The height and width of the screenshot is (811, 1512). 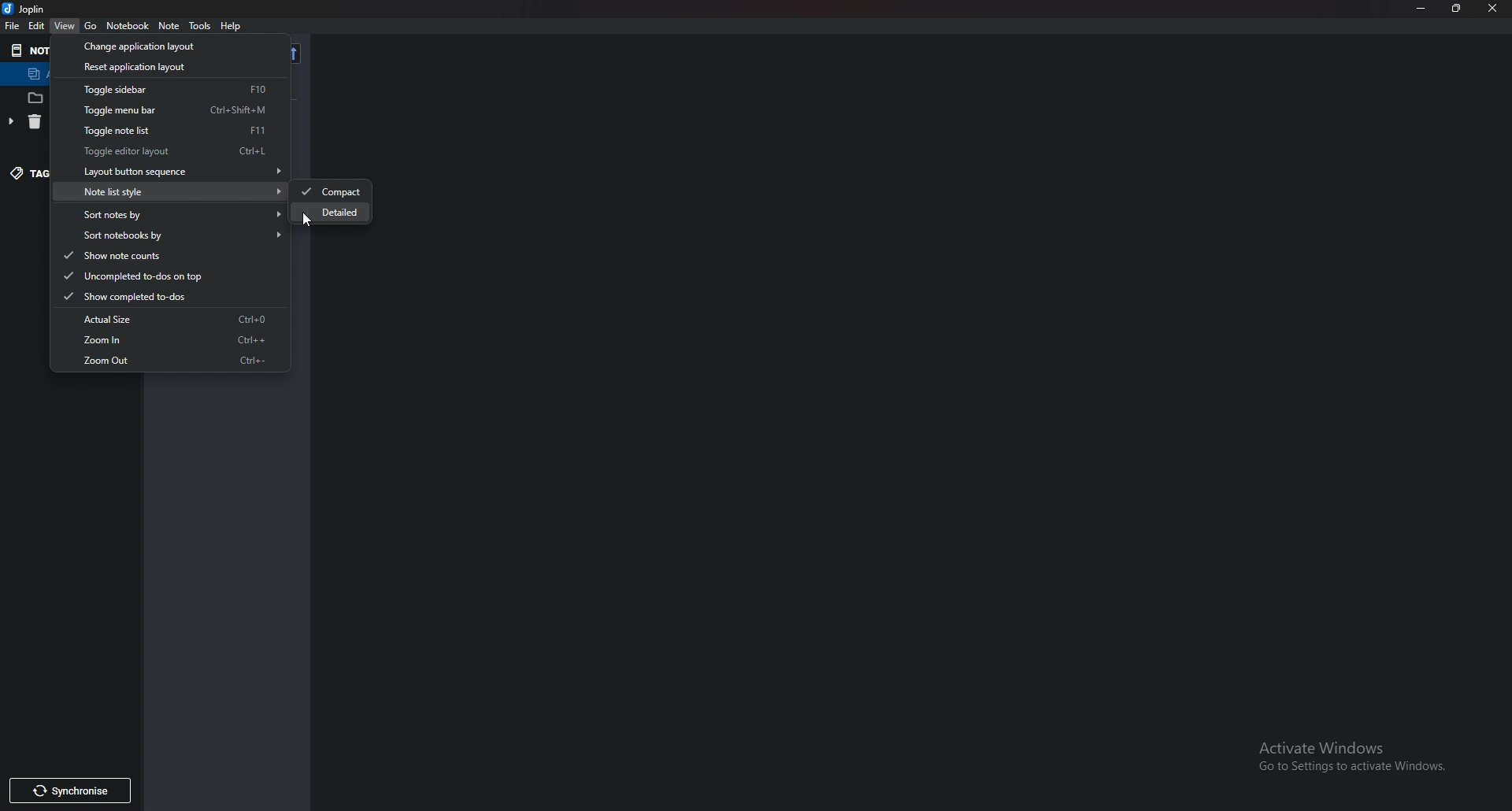 I want to click on cursor, so click(x=308, y=220).